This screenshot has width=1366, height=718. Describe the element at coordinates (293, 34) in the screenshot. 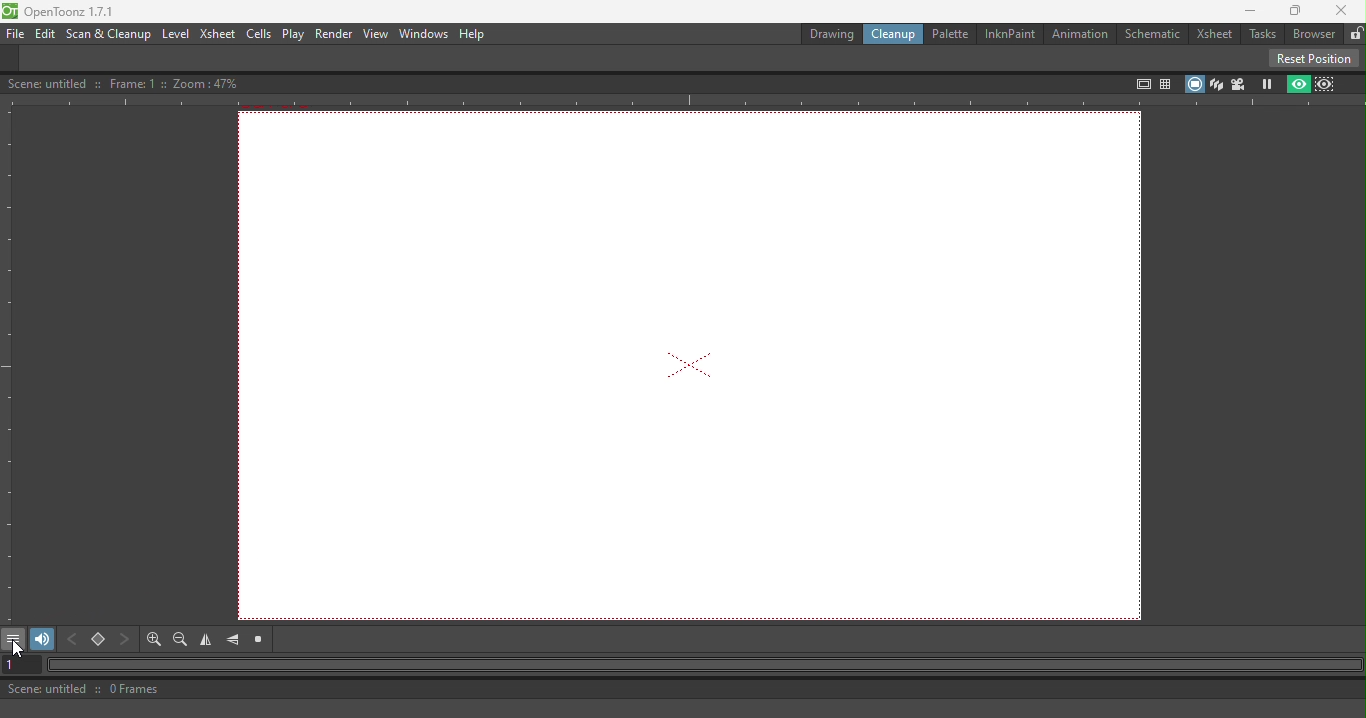

I see `Play` at that location.